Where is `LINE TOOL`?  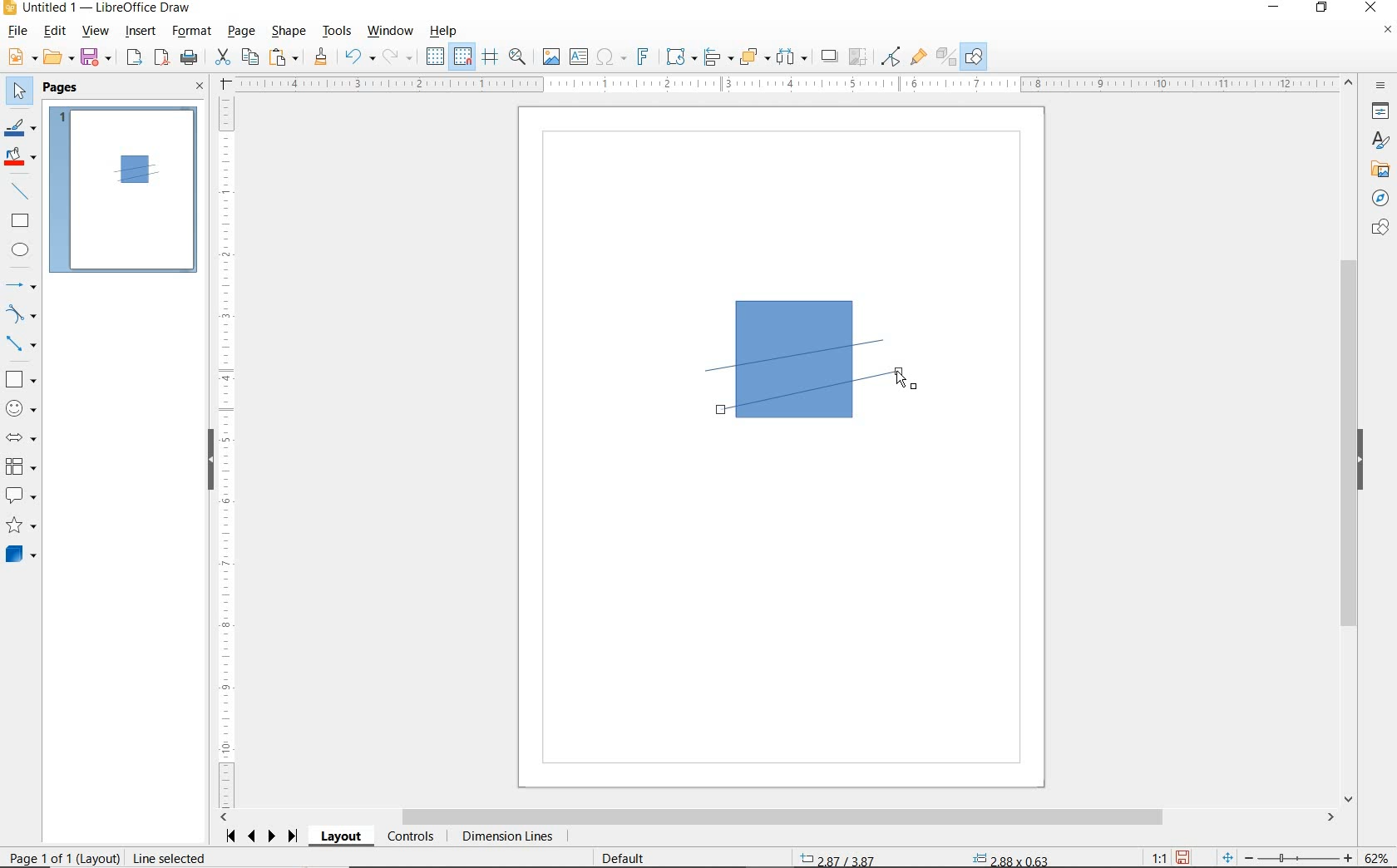
LINE TOOL is located at coordinates (729, 413).